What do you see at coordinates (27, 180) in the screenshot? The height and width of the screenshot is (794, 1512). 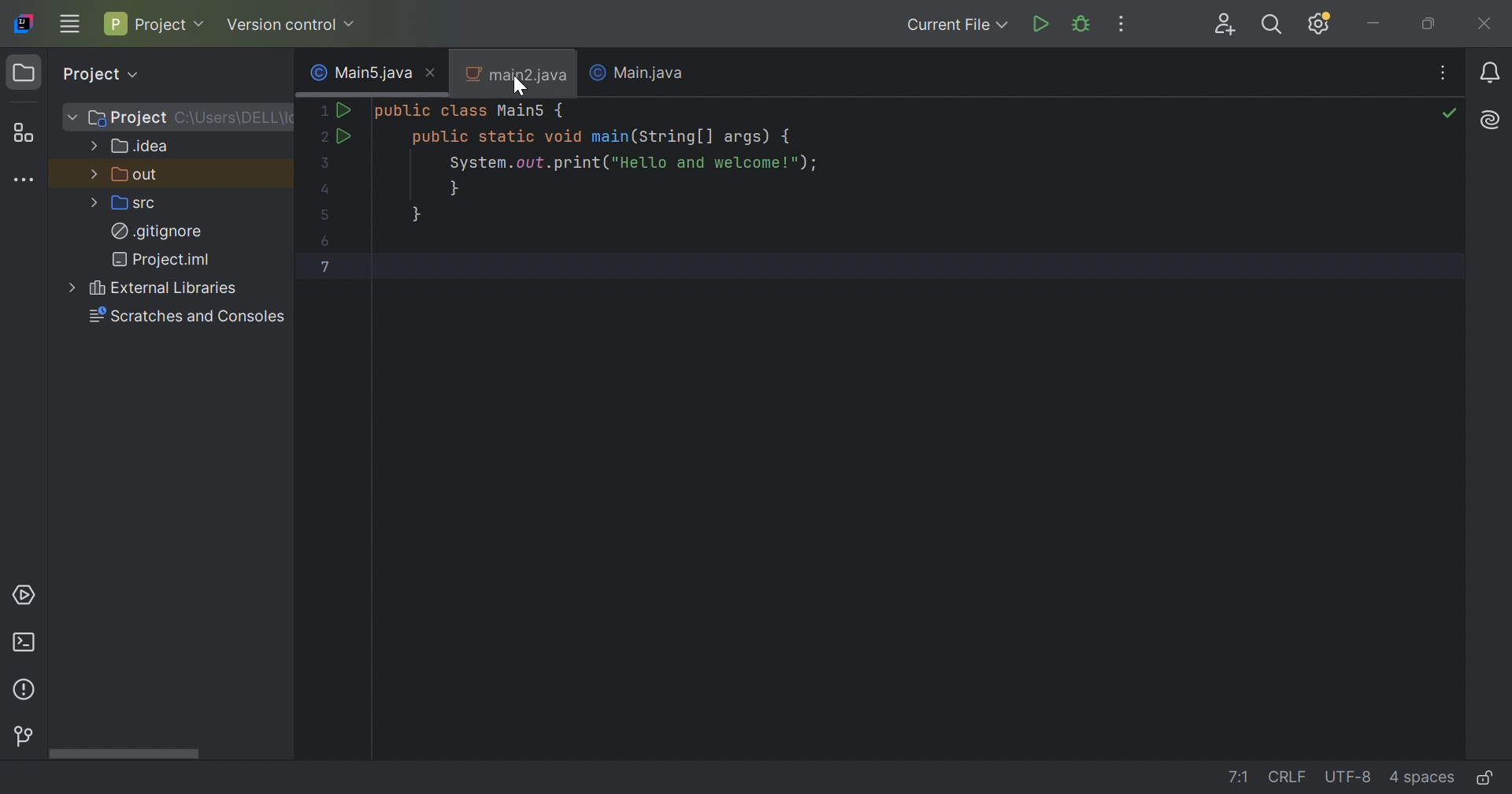 I see `More tool windows` at bounding box center [27, 180].